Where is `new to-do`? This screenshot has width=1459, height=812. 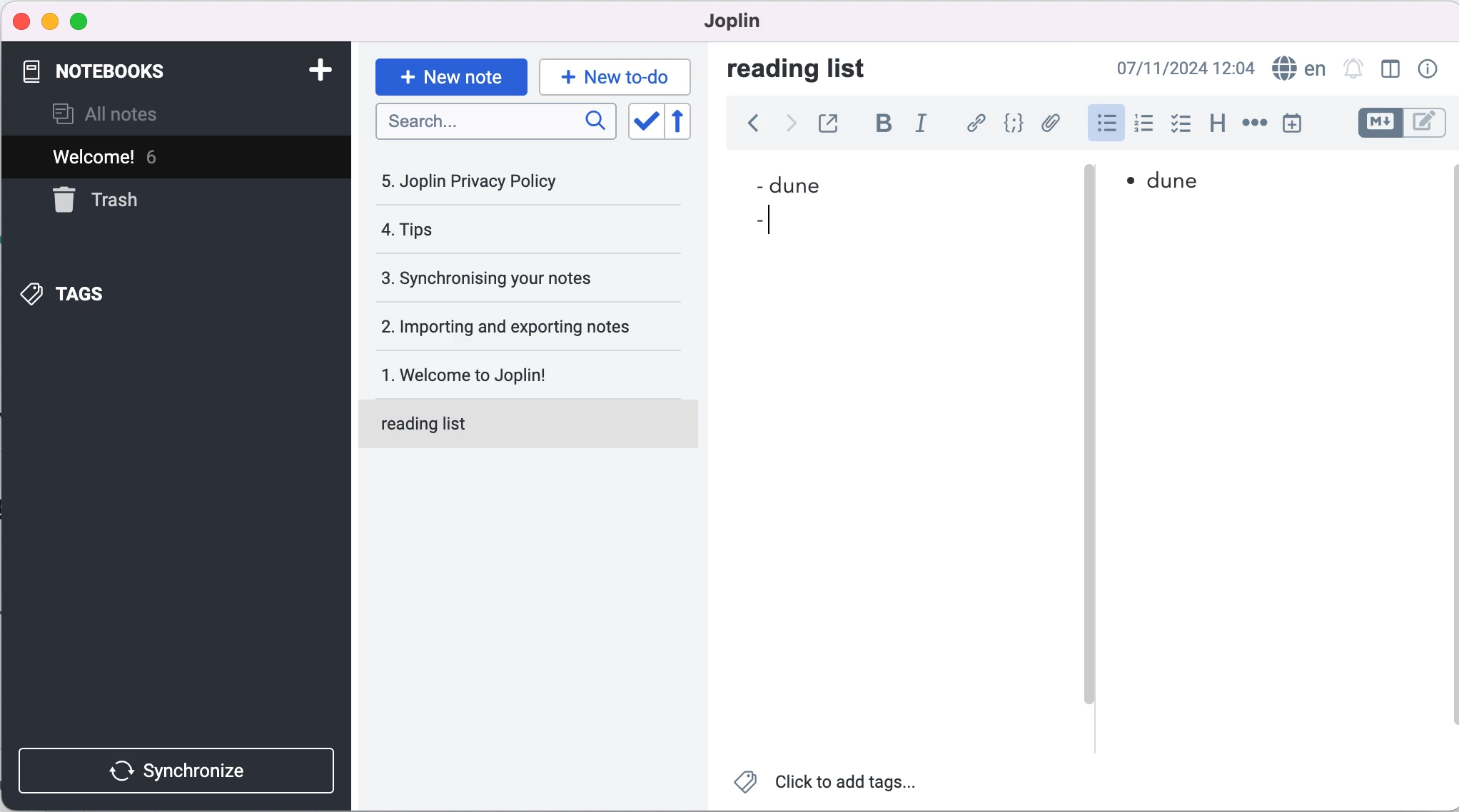
new to-do is located at coordinates (617, 74).